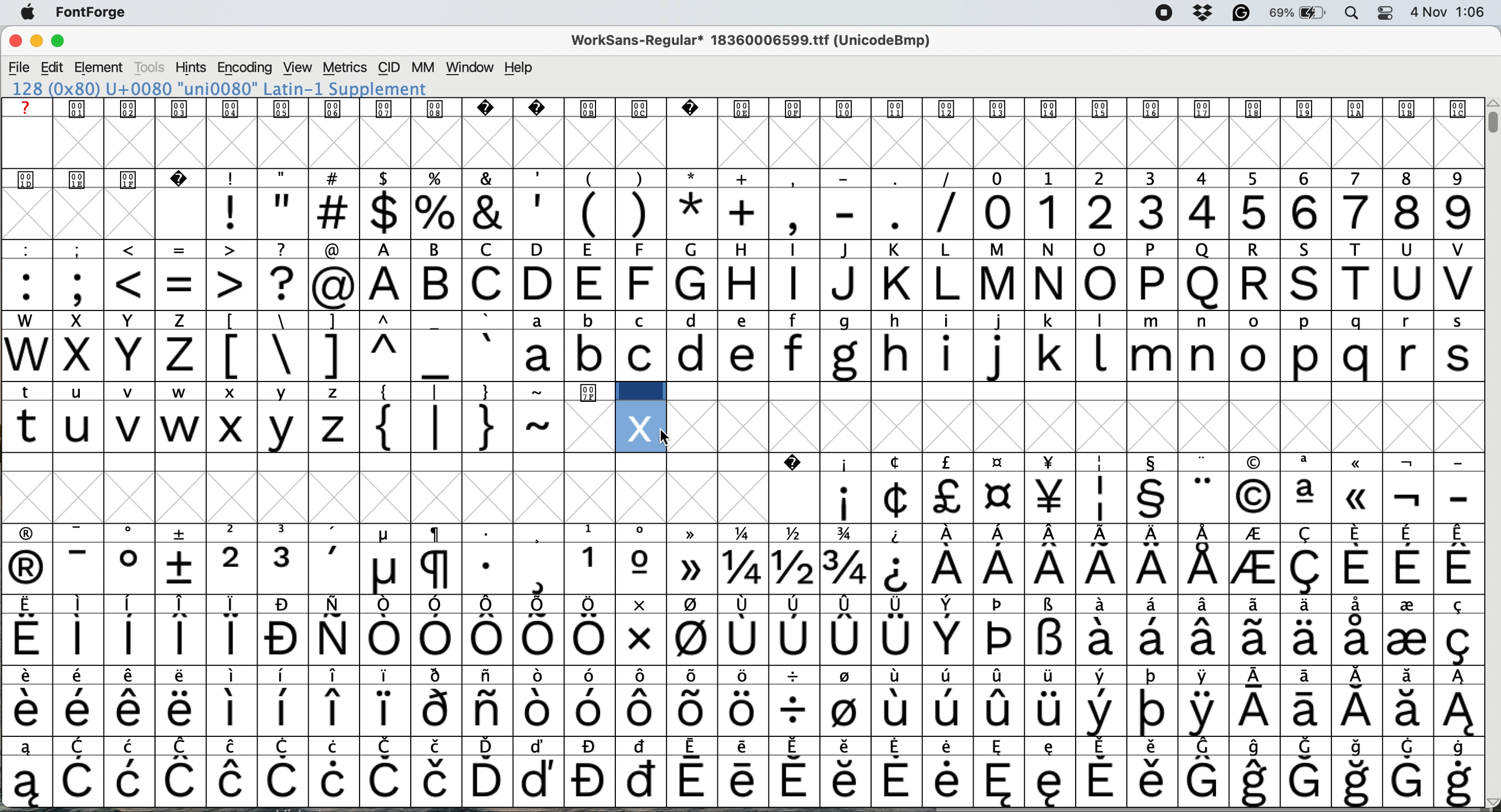  Describe the element at coordinates (244, 68) in the screenshot. I see `encoding` at that location.